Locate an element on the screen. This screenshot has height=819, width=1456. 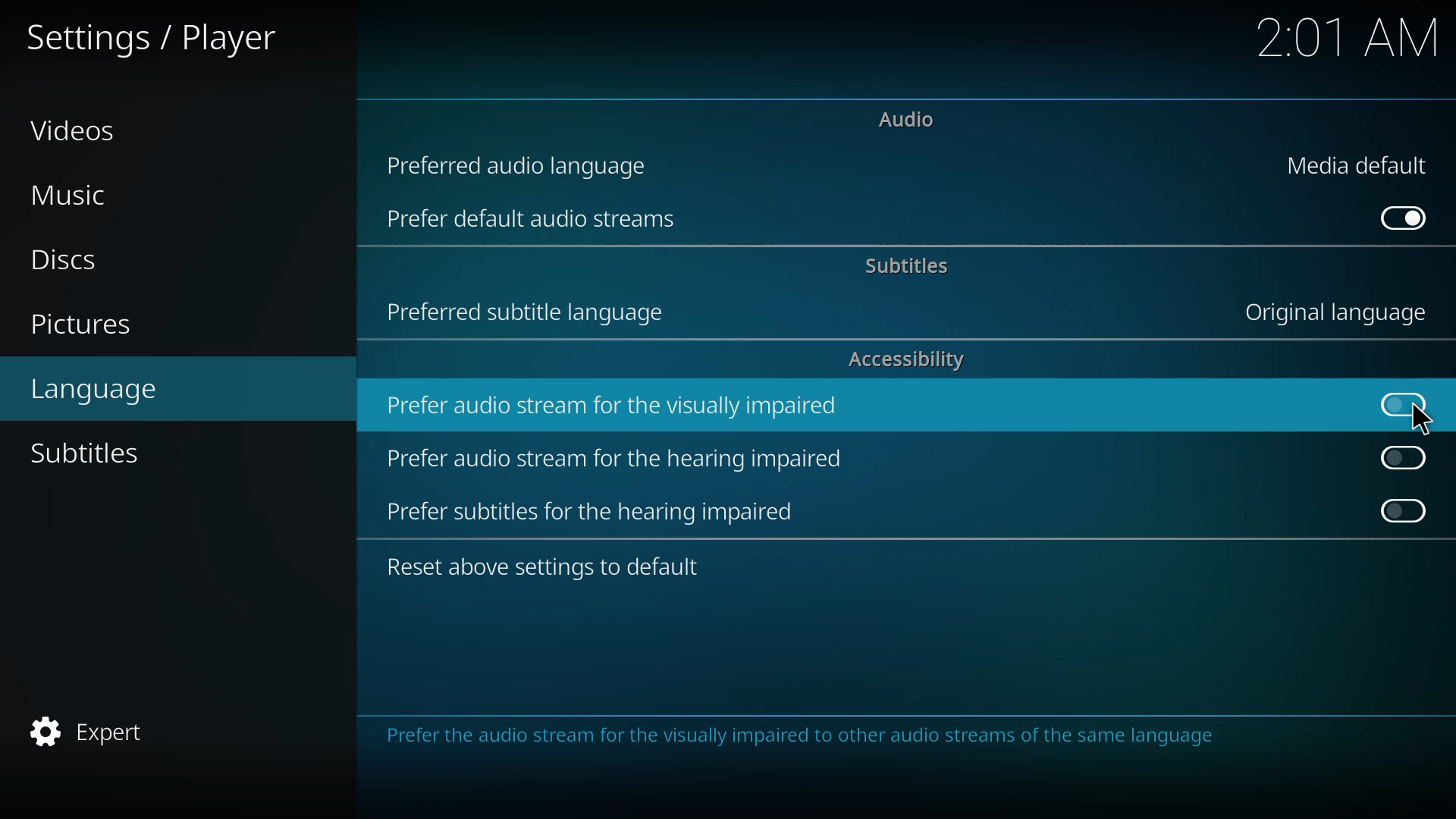
music is located at coordinates (73, 197).